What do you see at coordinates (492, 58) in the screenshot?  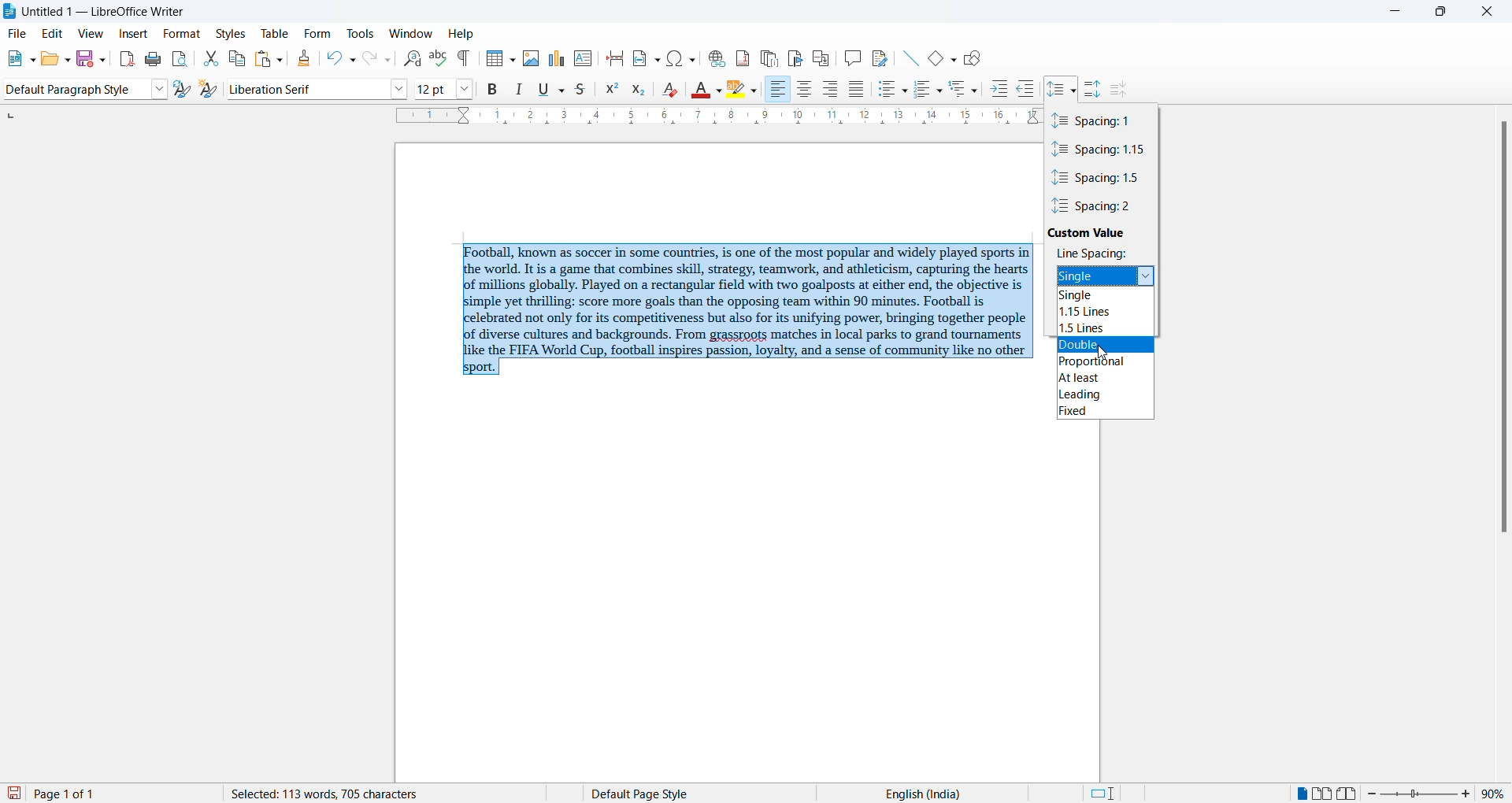 I see `insert table` at bounding box center [492, 58].